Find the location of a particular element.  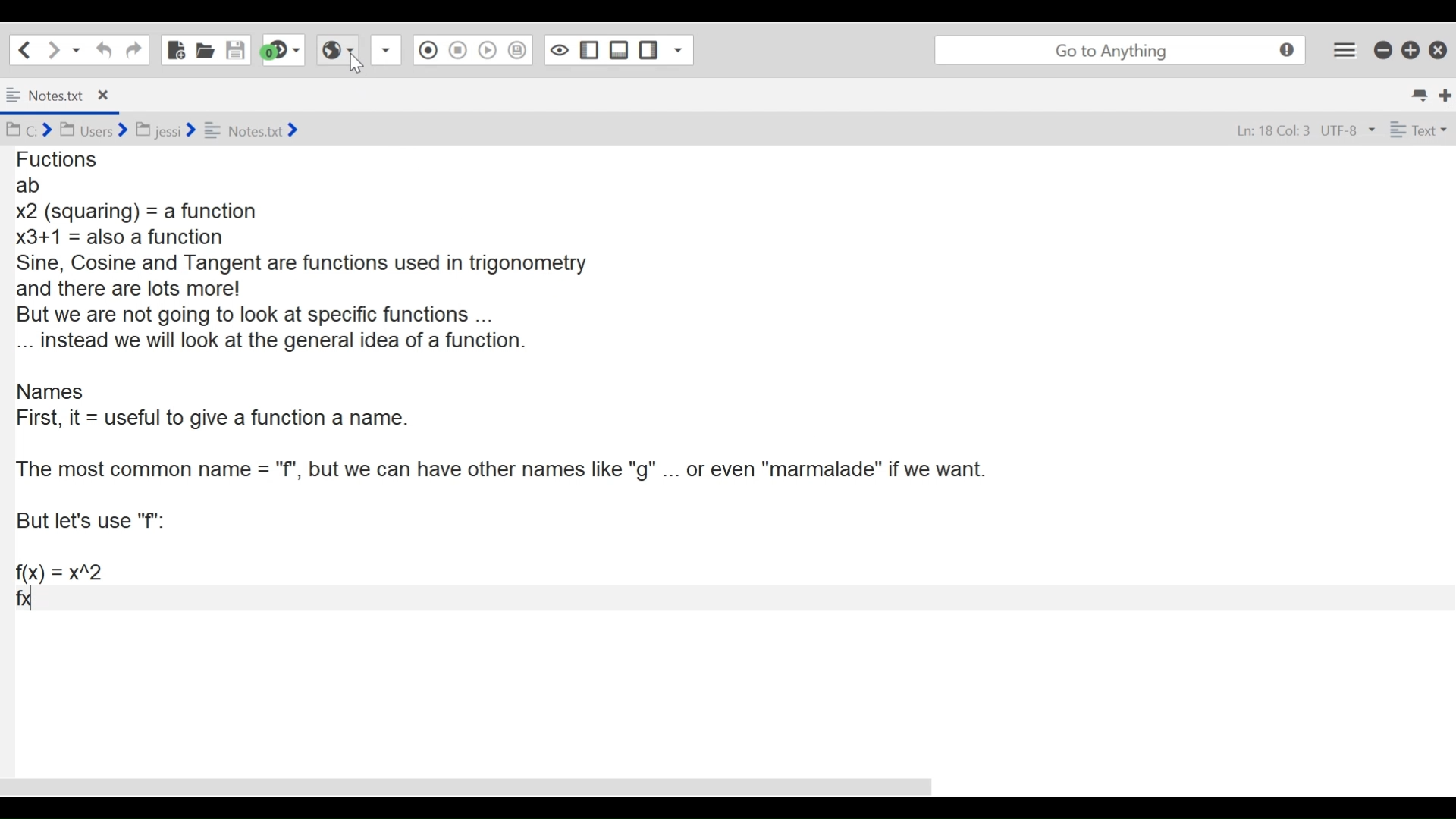

Show/hide Right Pane is located at coordinates (647, 51).